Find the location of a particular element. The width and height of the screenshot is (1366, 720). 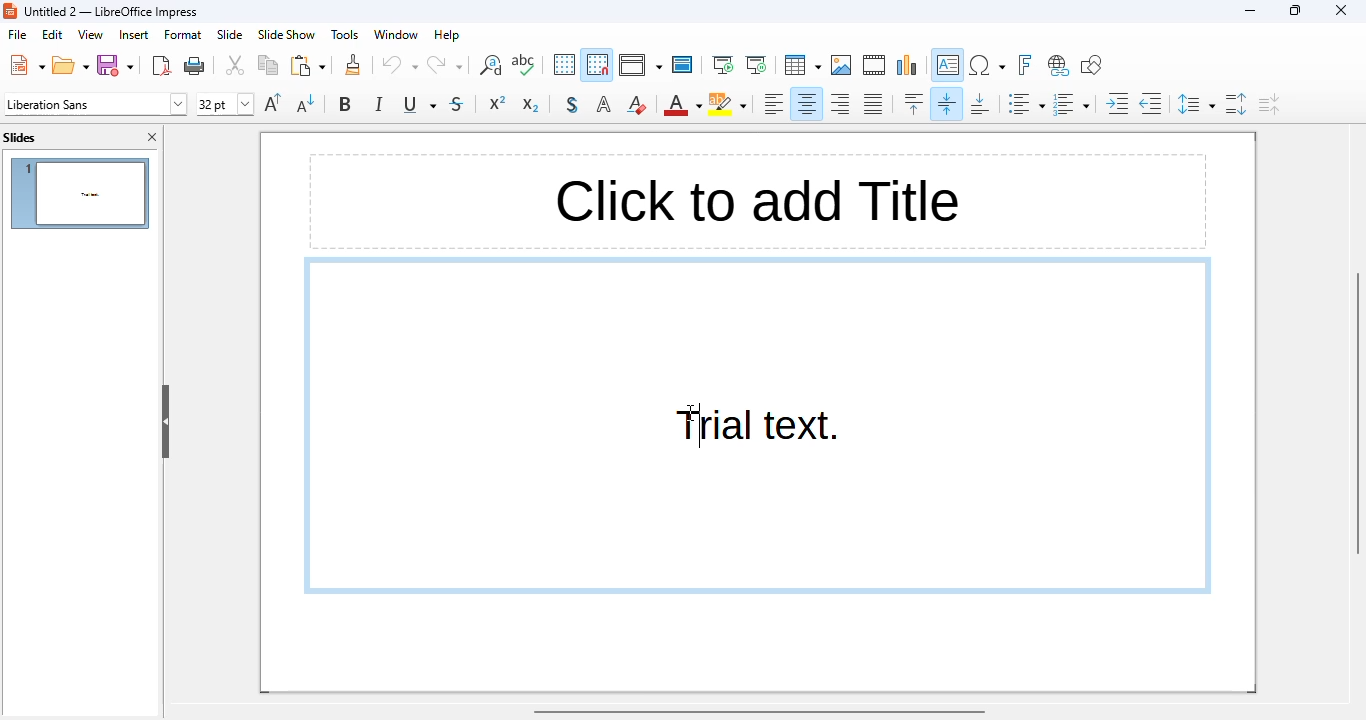

toggle shadow is located at coordinates (573, 104).